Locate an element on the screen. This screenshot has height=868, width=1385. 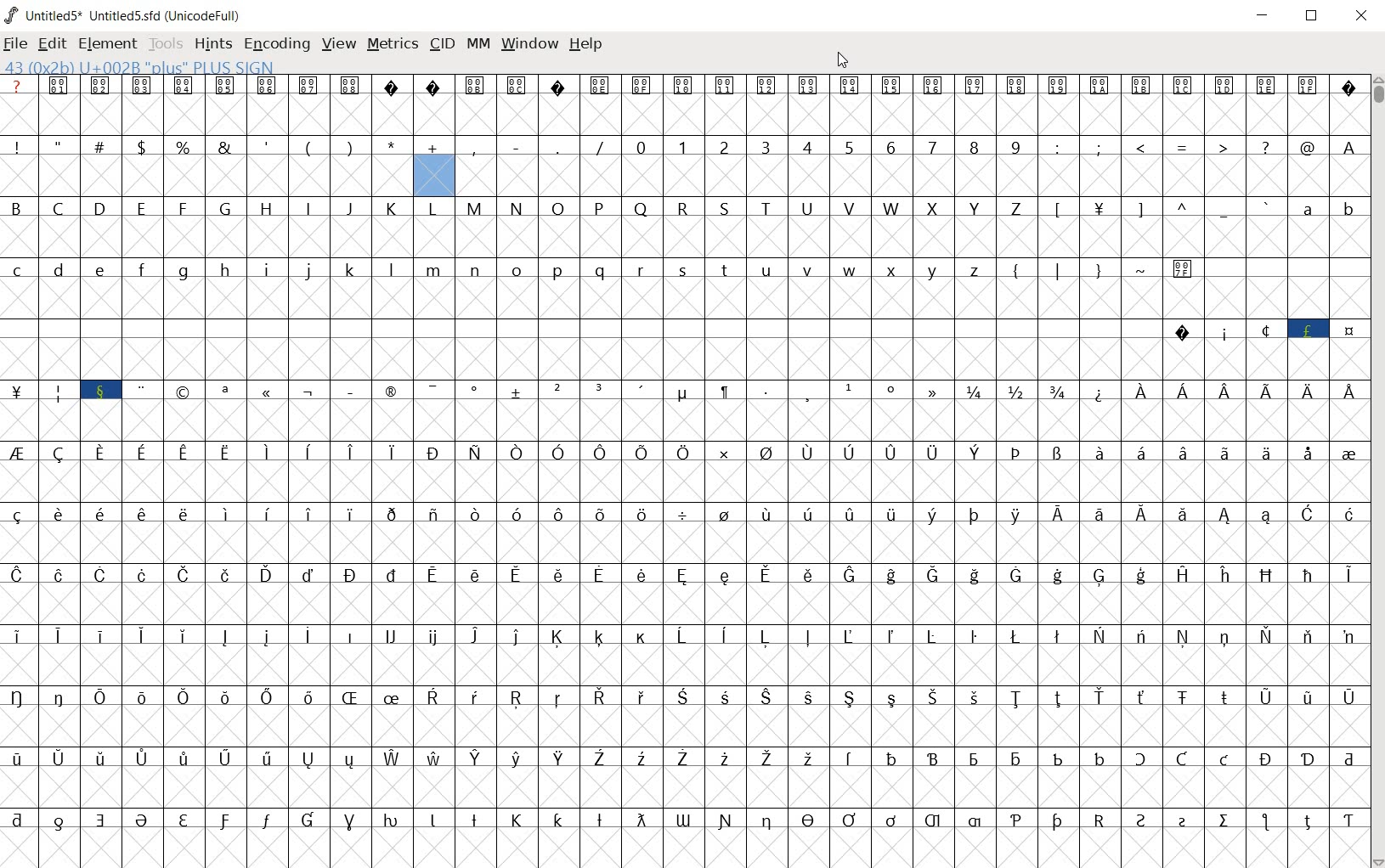
slot is located at coordinates (579, 350).